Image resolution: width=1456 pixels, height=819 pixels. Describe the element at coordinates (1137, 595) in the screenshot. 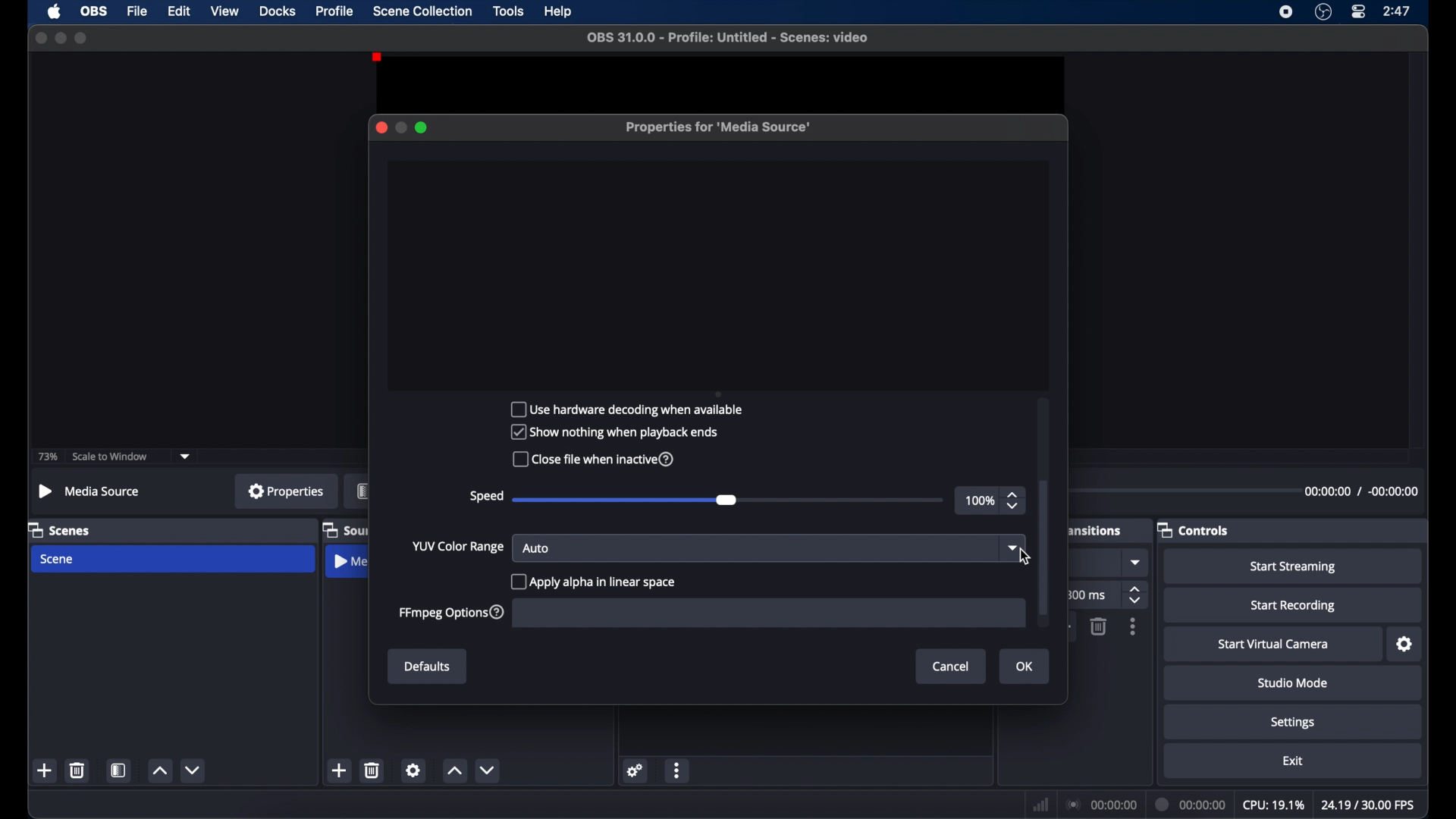

I see `stepper buttons` at that location.